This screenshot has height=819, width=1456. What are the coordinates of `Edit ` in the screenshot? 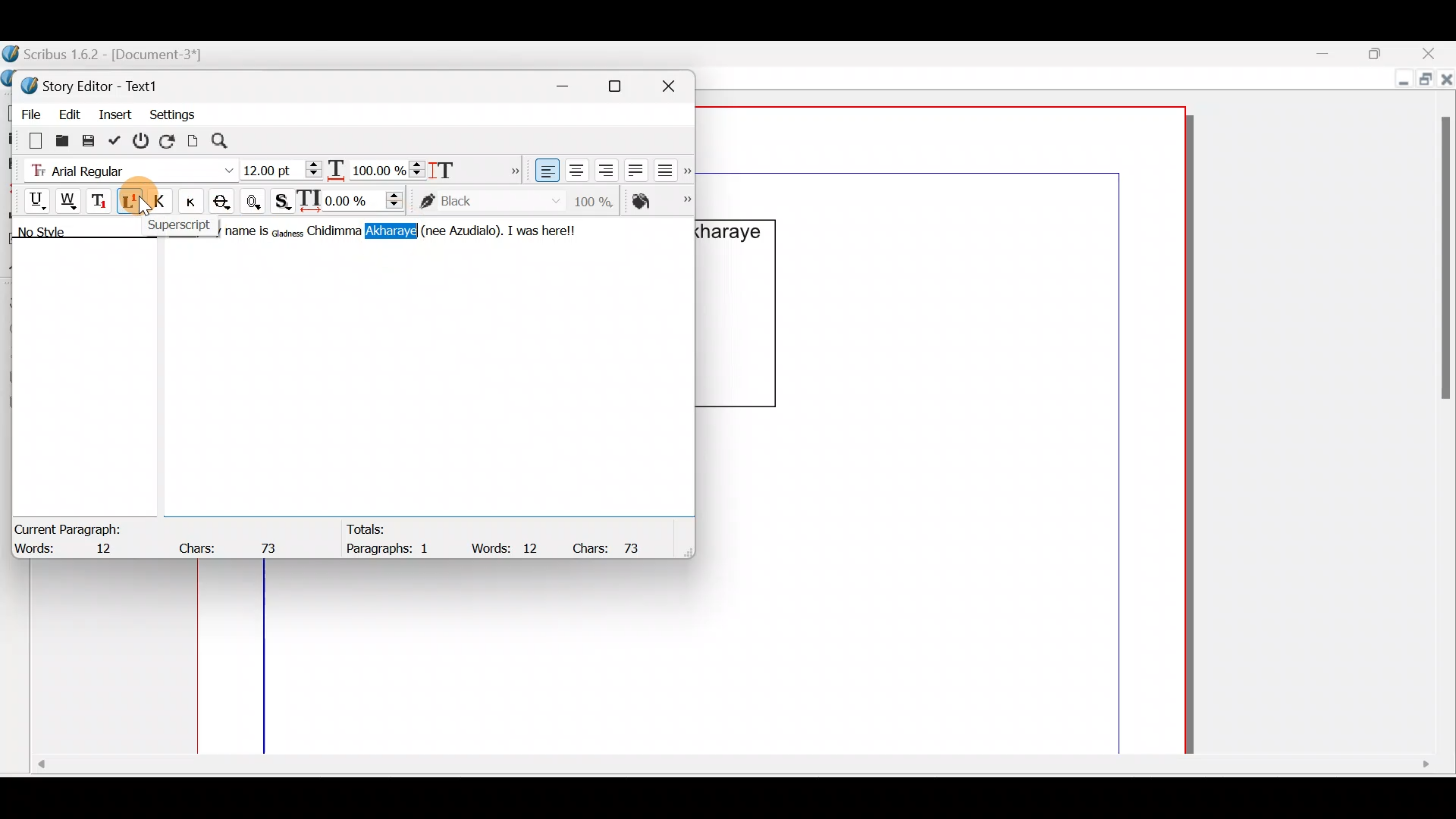 It's located at (69, 111).